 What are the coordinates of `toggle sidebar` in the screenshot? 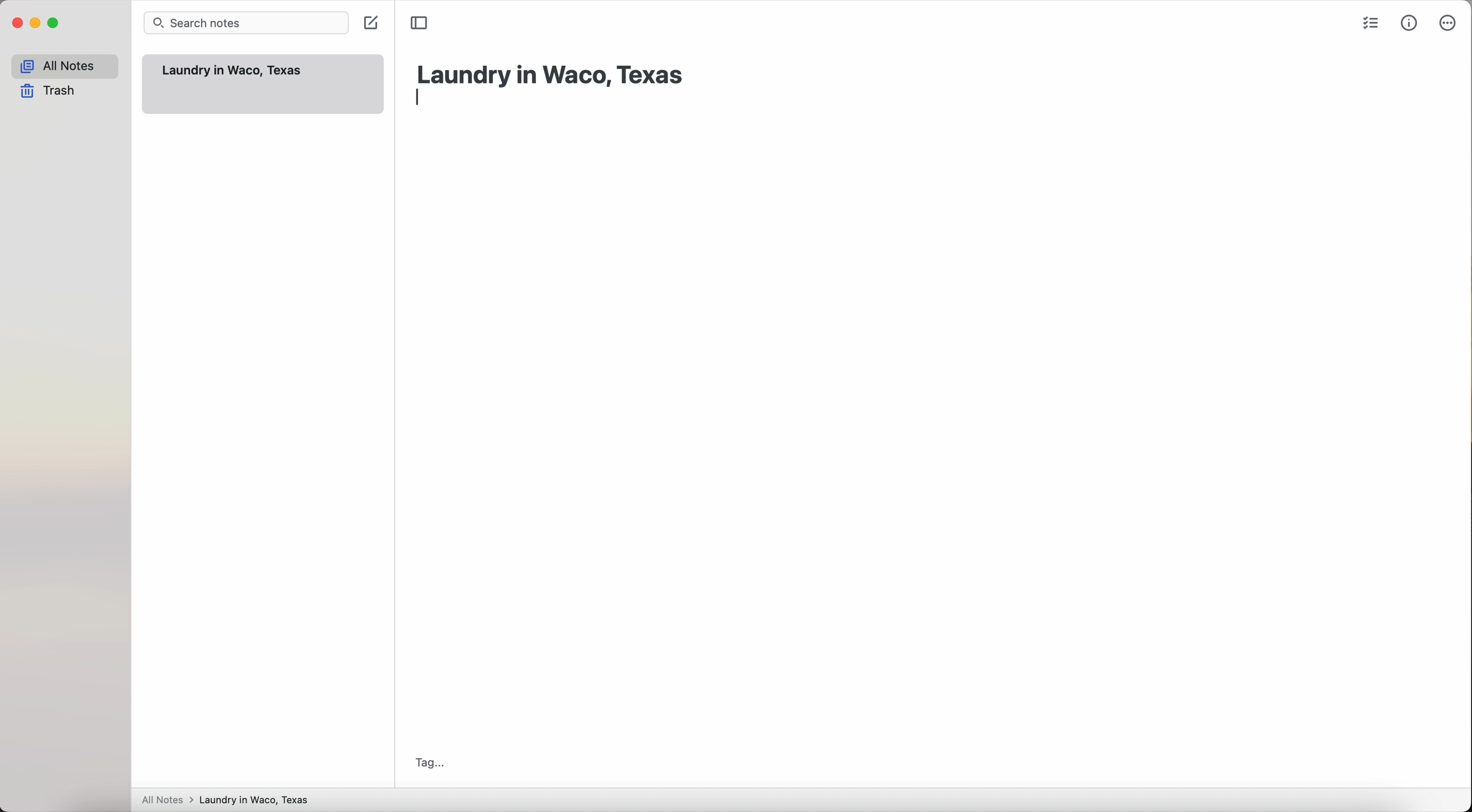 It's located at (419, 23).